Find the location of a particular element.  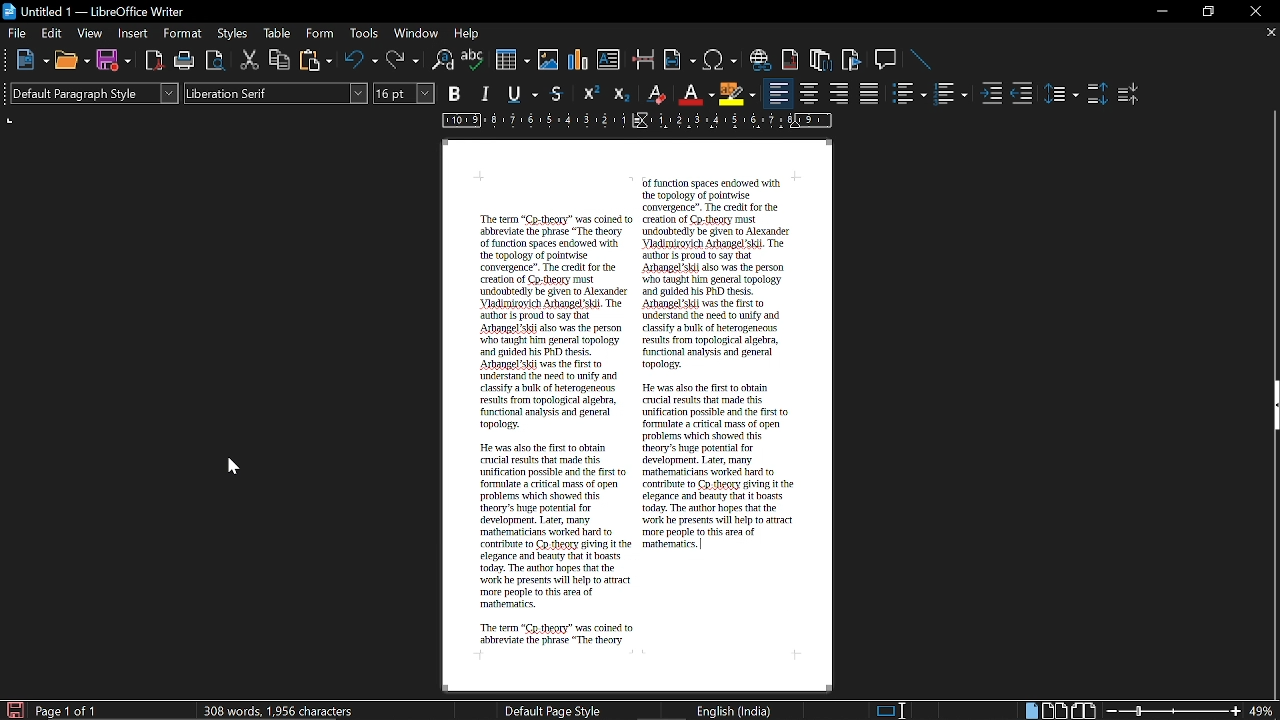

308 words, 1,956 characters is located at coordinates (283, 712).